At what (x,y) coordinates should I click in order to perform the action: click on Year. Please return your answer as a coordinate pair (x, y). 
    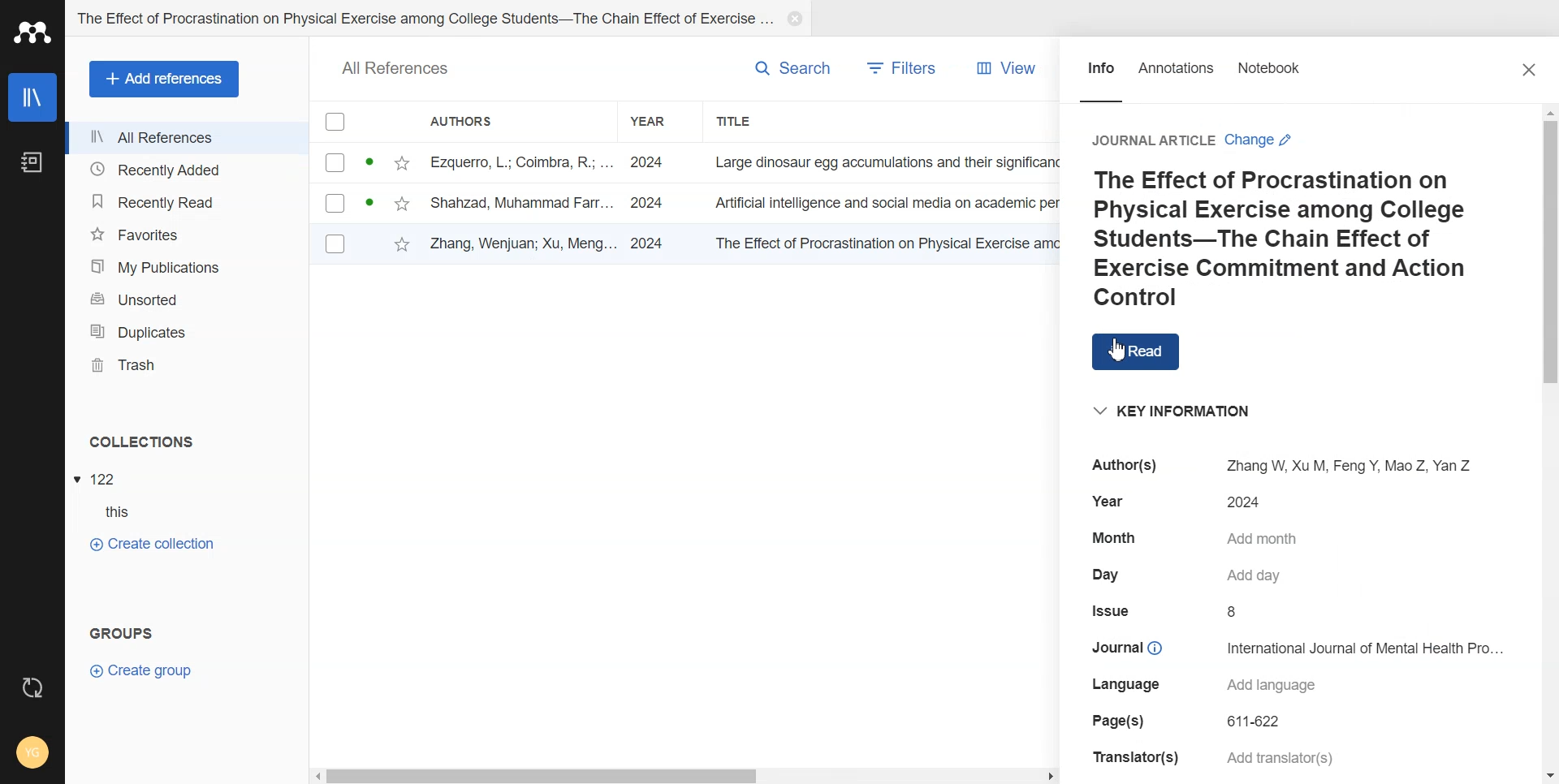
    Looking at the image, I should click on (658, 121).